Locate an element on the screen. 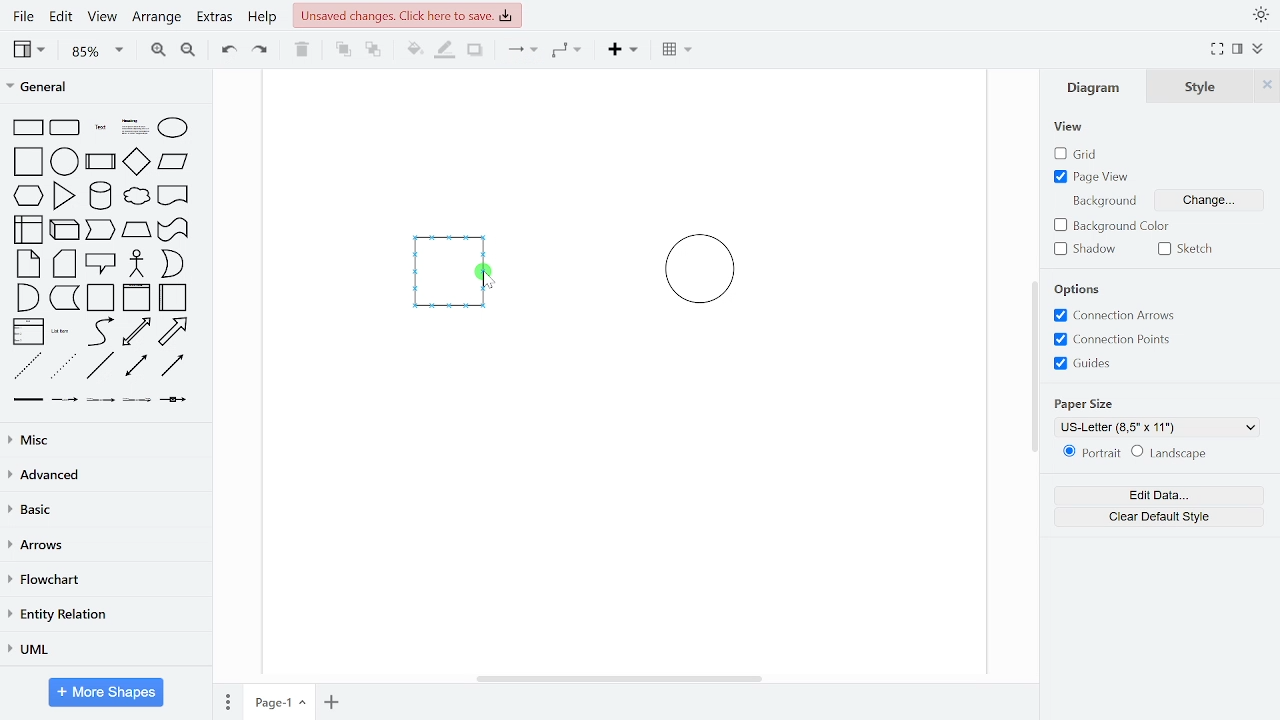 The image size is (1280, 720). view is located at coordinates (32, 49).